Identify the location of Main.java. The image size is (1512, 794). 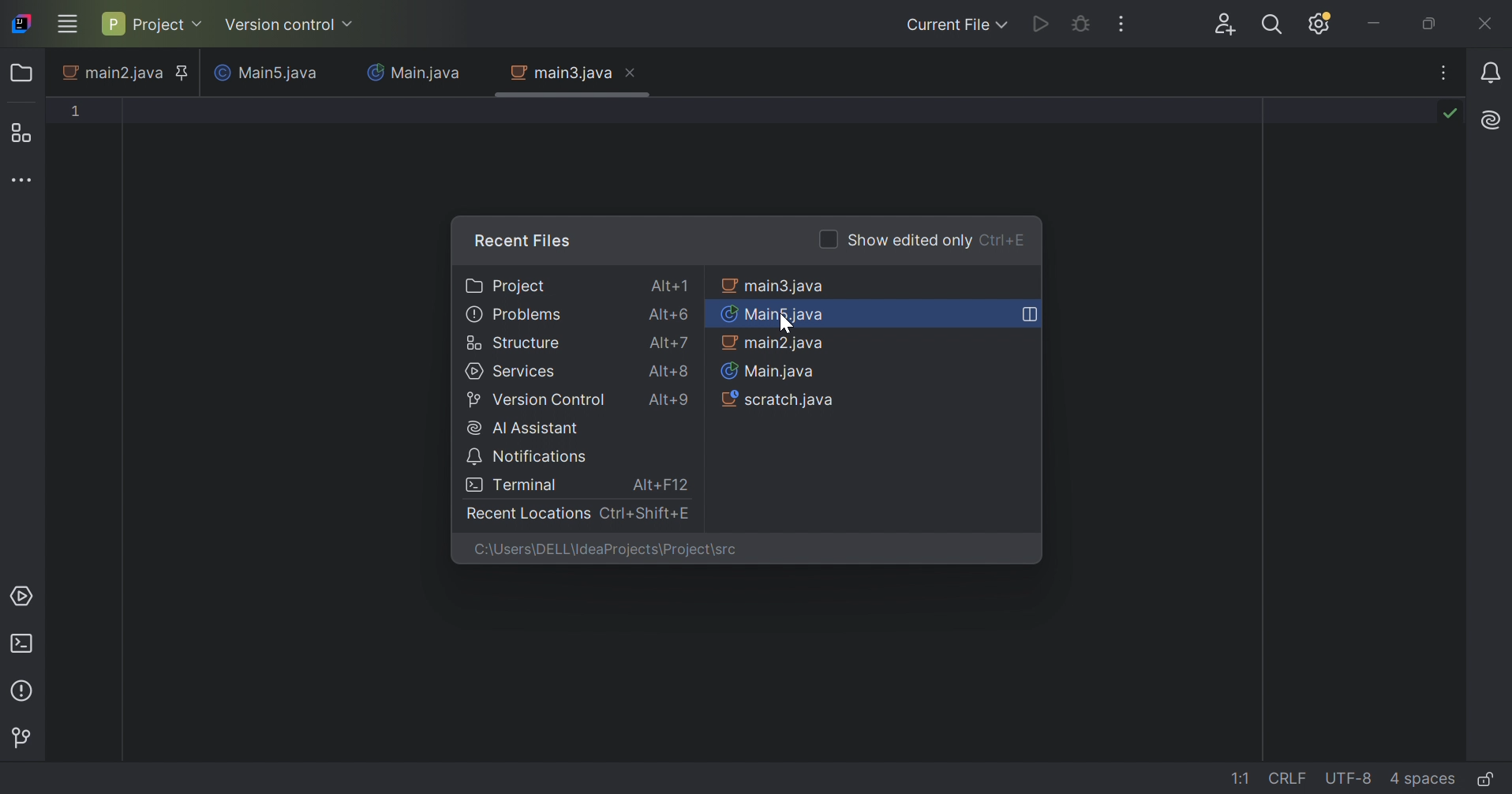
(417, 73).